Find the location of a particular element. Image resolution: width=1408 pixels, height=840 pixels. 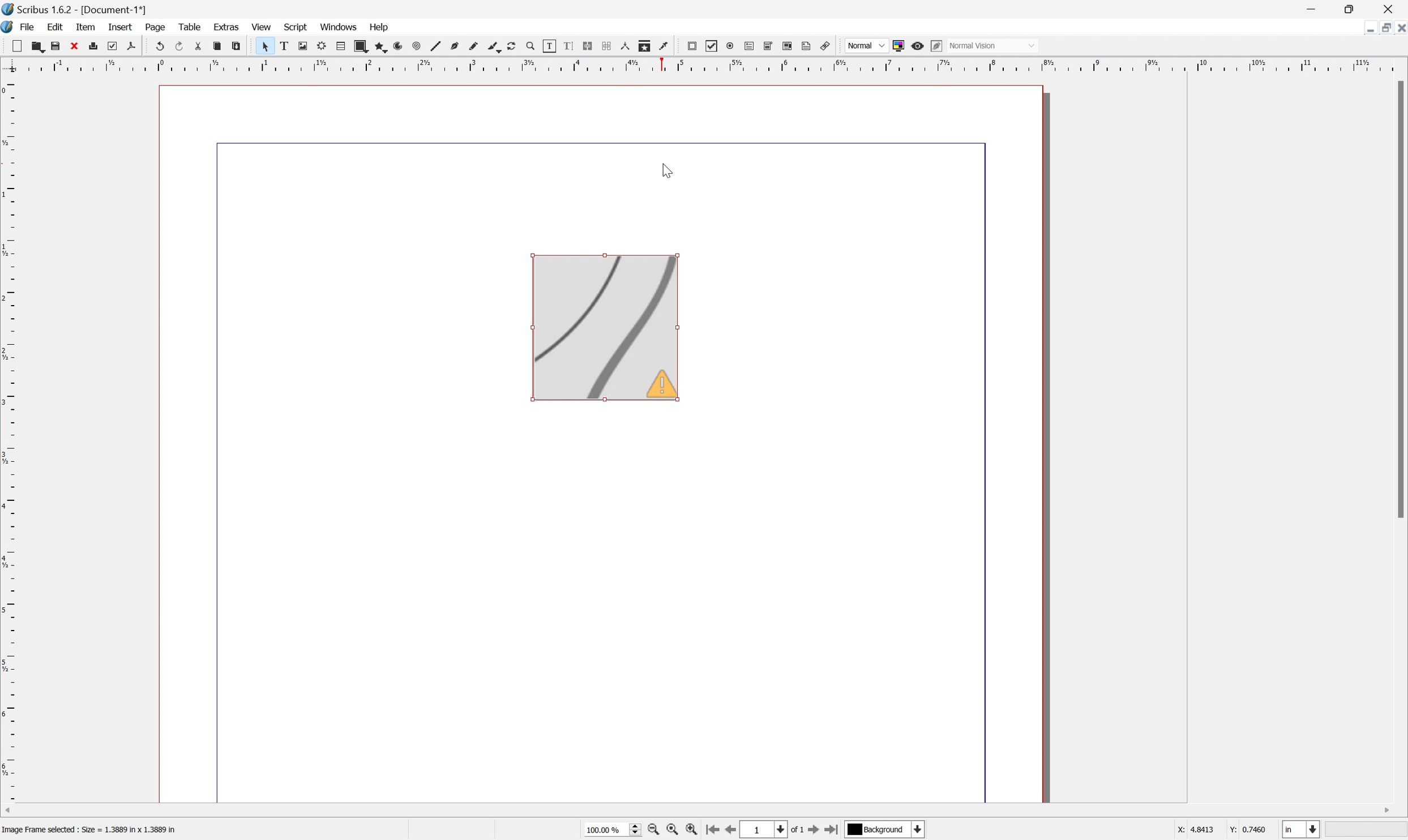

Shape is located at coordinates (364, 47).